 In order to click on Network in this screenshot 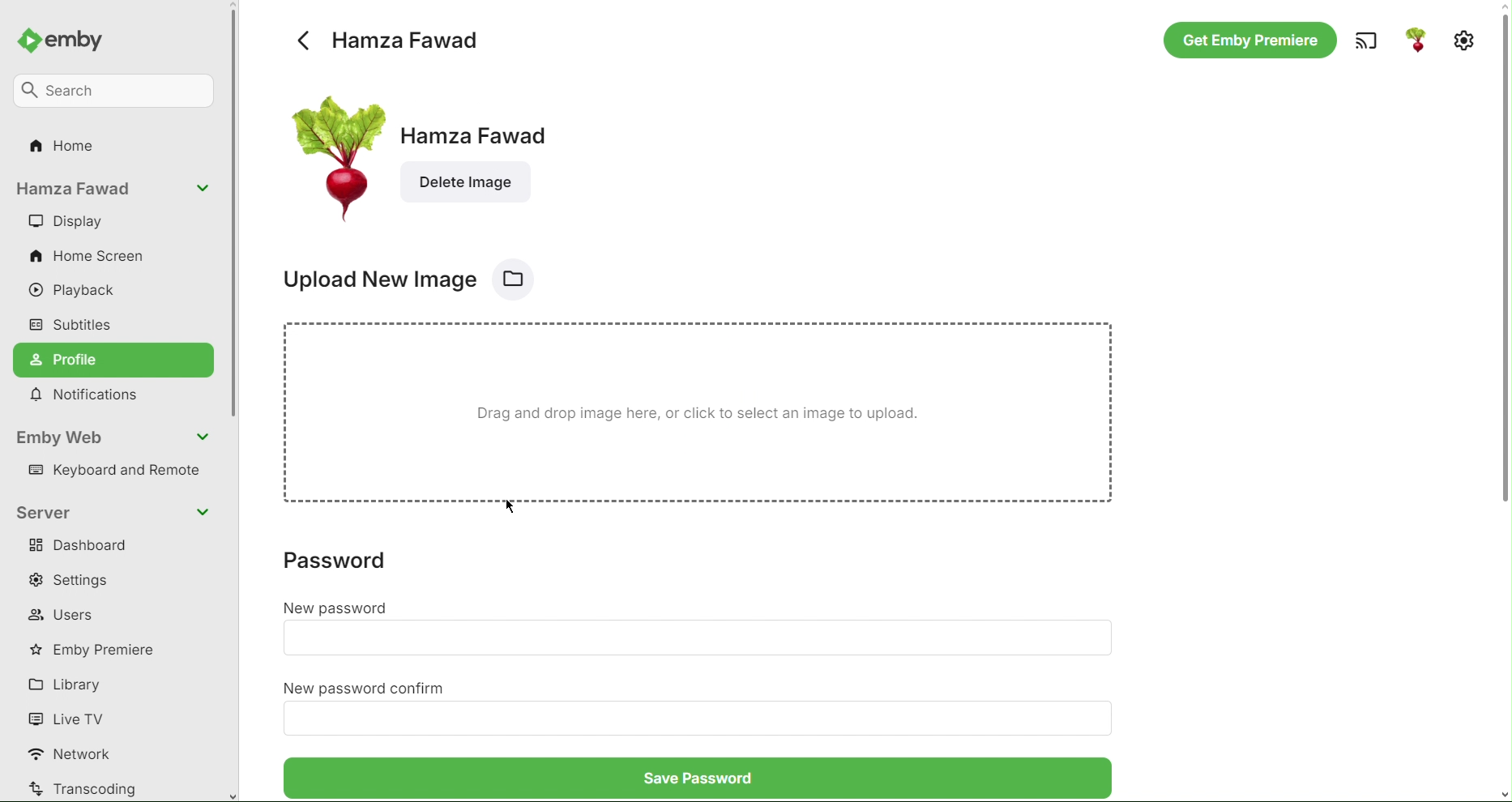, I will do `click(77, 755)`.